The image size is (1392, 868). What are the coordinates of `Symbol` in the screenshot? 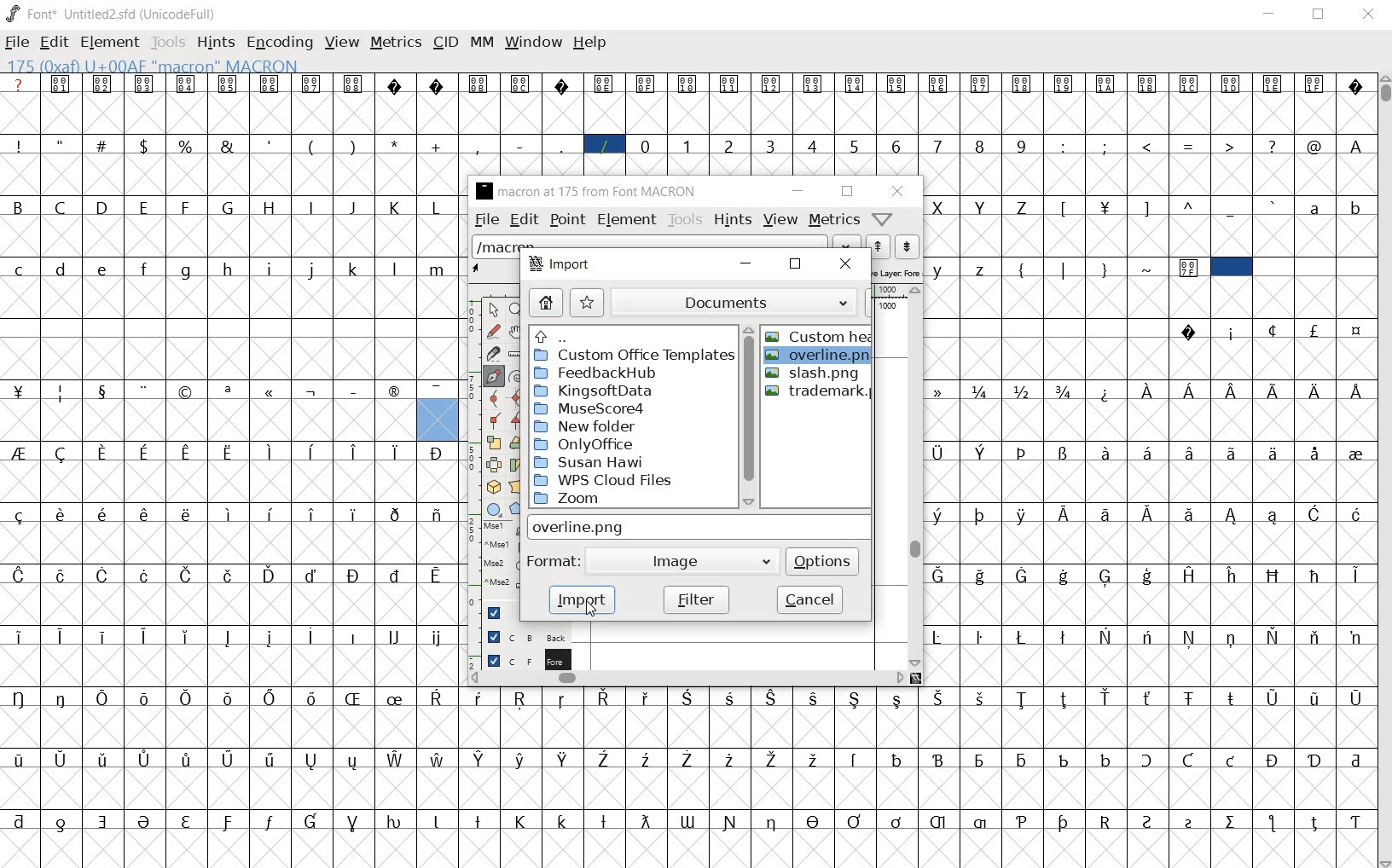 It's located at (482, 819).